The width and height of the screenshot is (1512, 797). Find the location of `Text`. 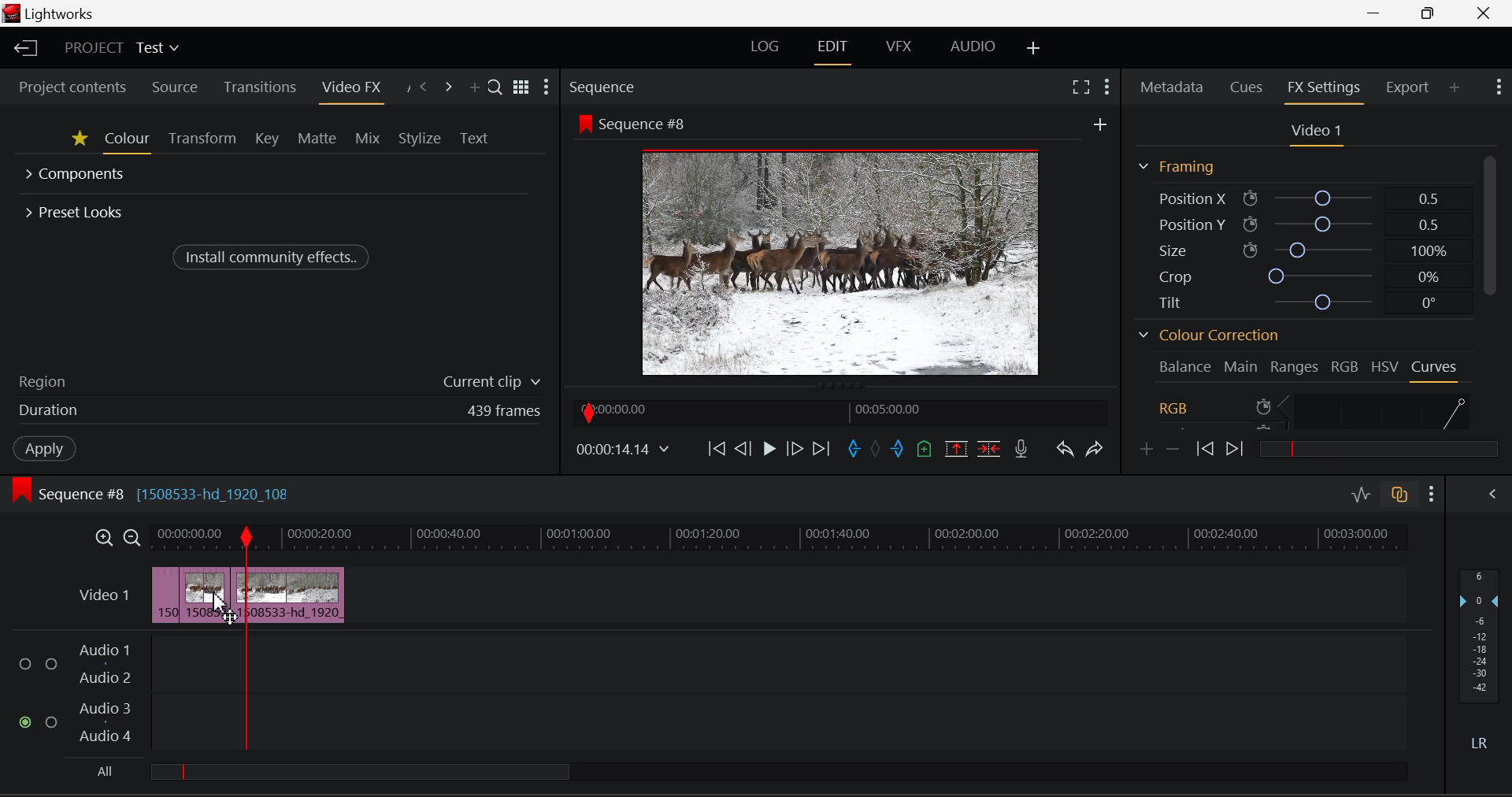

Text is located at coordinates (476, 136).